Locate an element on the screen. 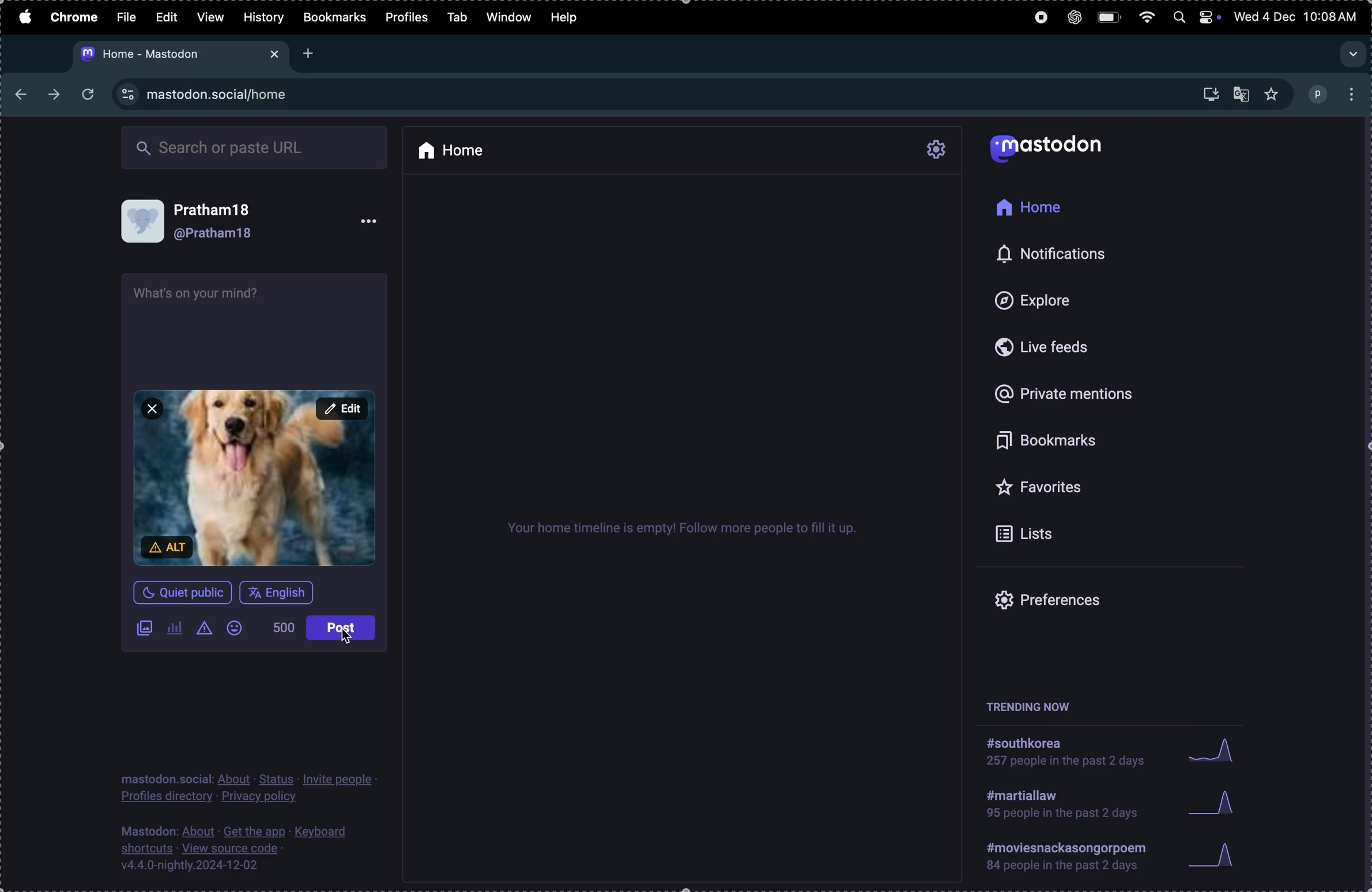  pet image is located at coordinates (255, 476).